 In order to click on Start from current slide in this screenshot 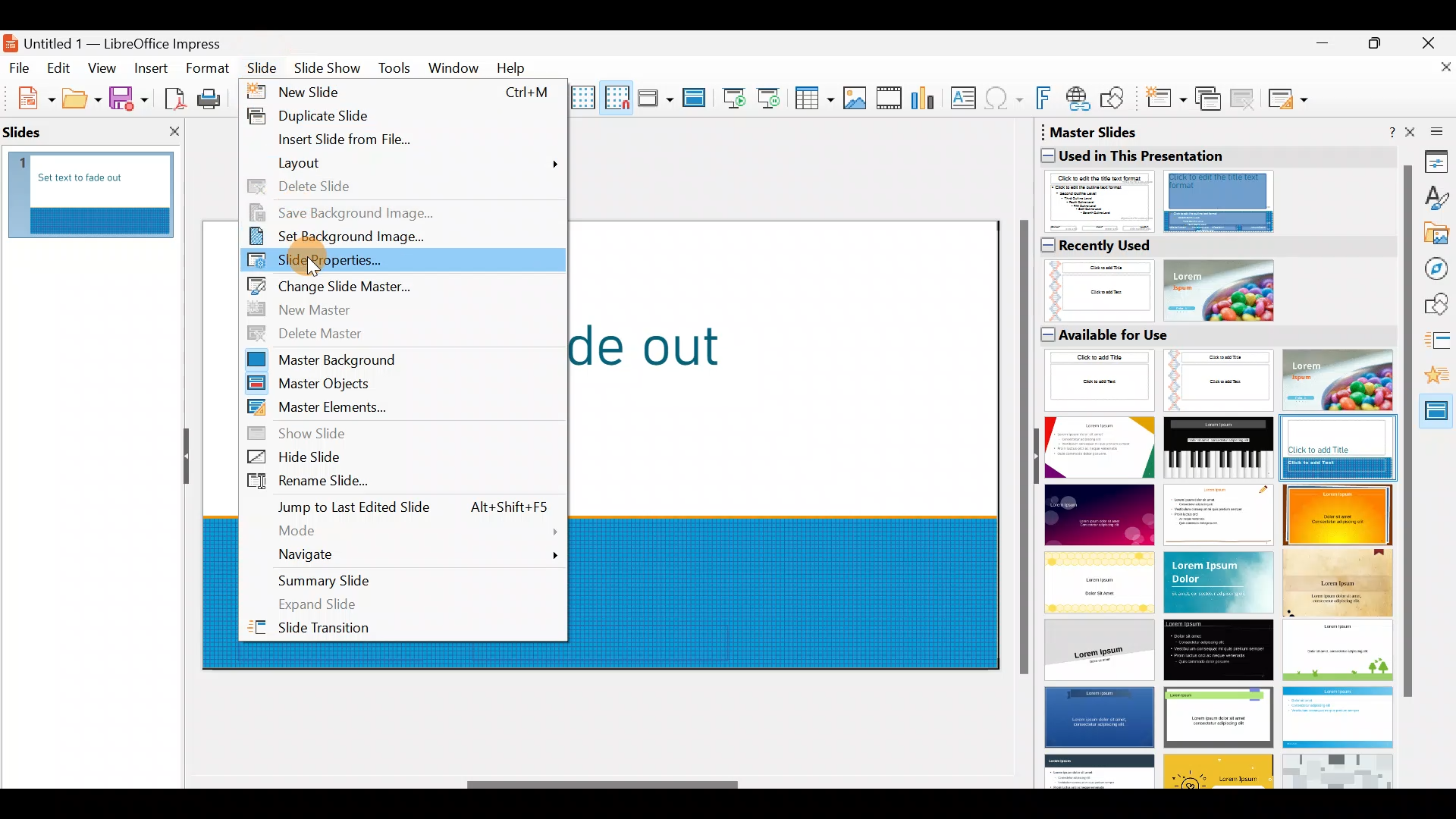, I will do `click(773, 97)`.